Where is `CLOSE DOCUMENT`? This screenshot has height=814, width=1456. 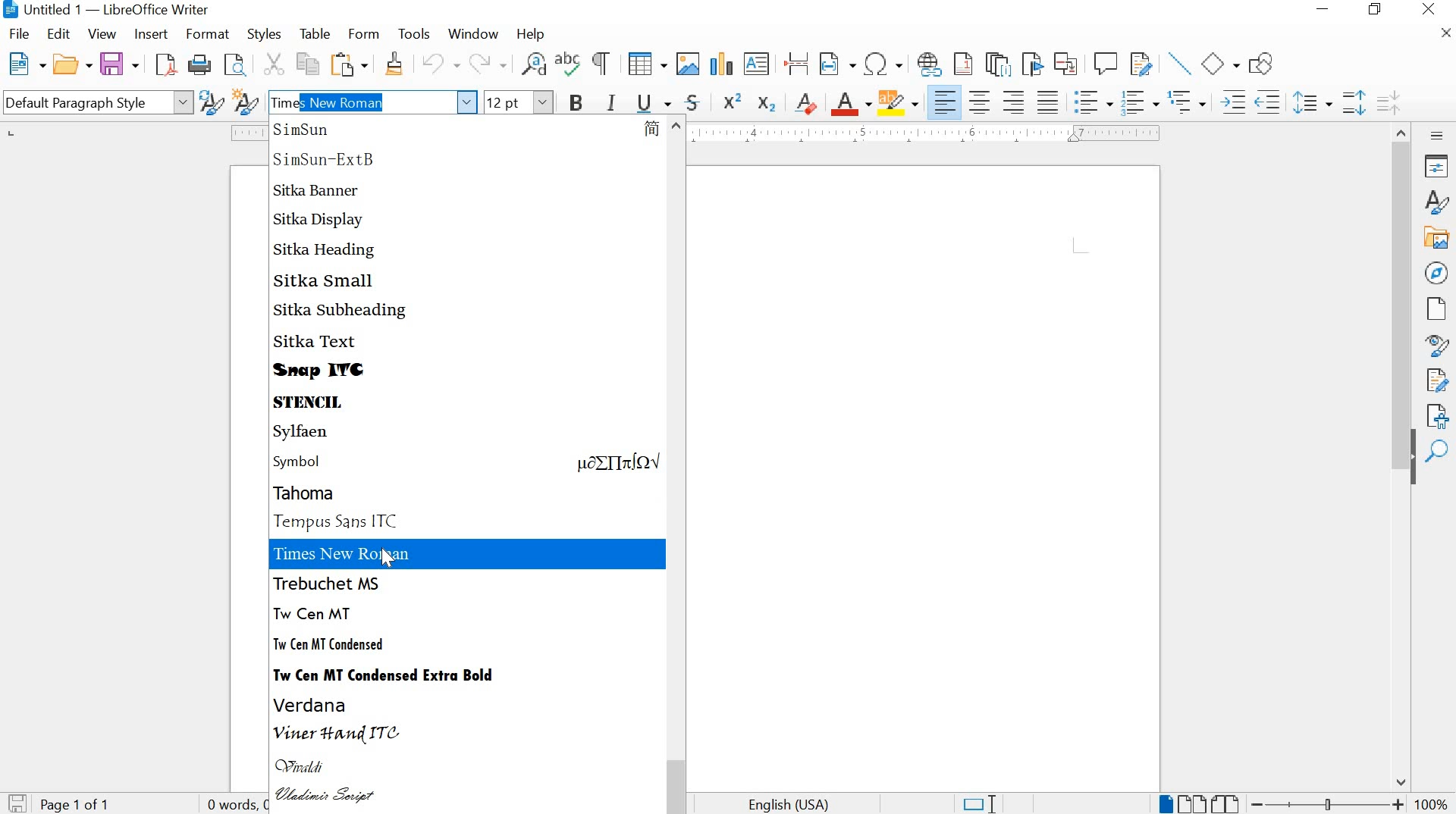
CLOSE DOCUMENT is located at coordinates (1444, 33).